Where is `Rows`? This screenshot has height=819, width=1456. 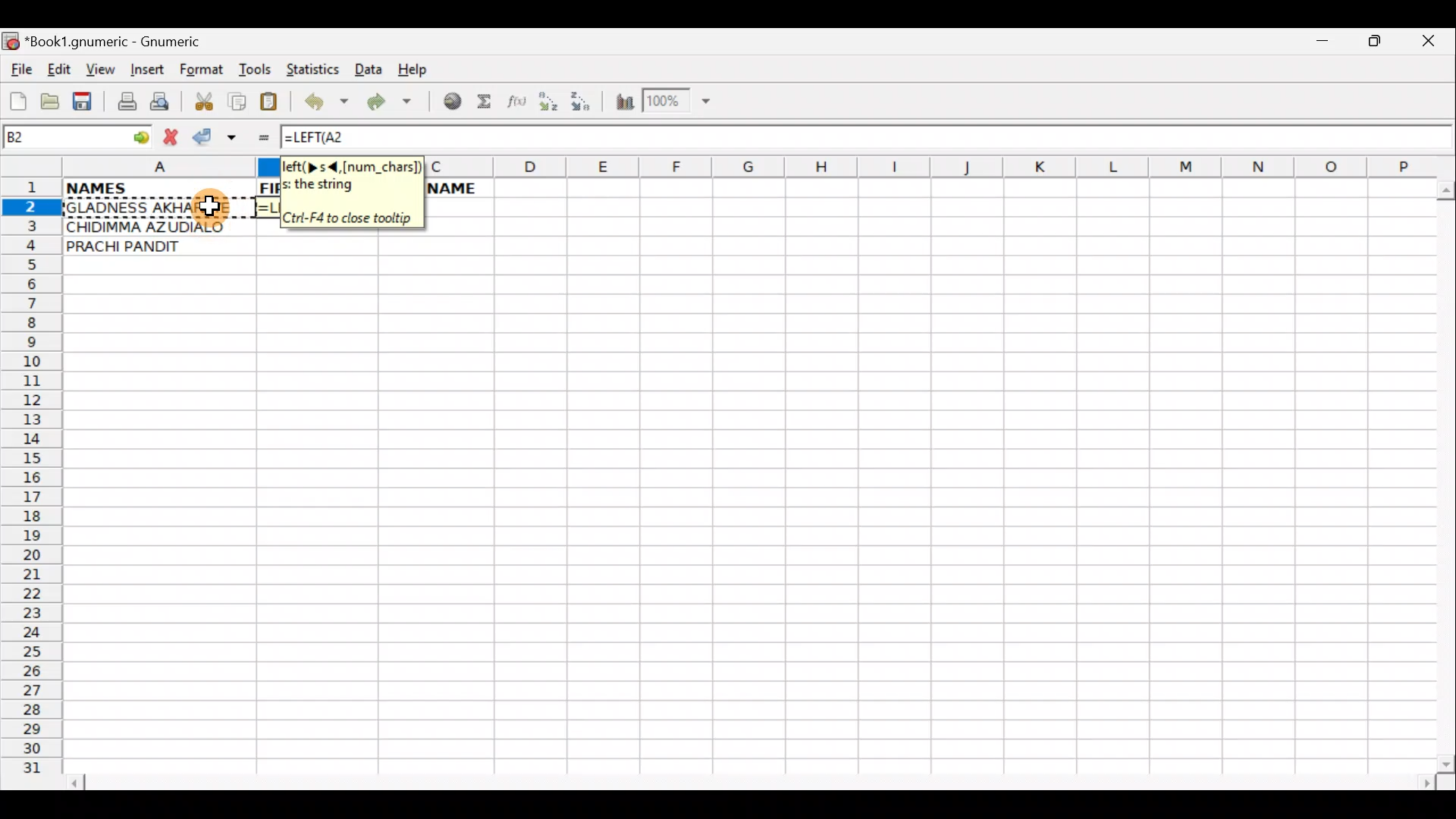 Rows is located at coordinates (32, 482).